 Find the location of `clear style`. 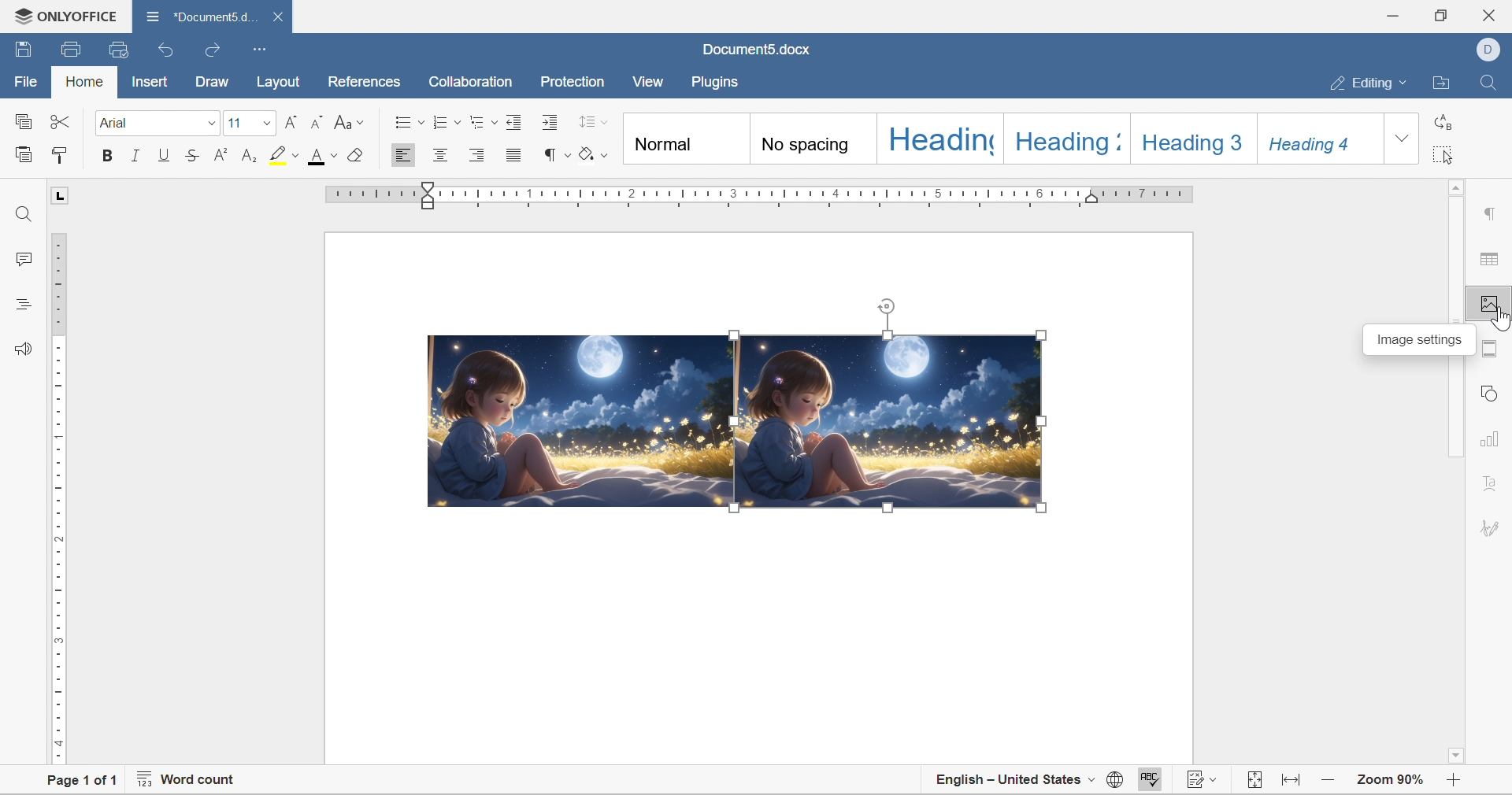

clear style is located at coordinates (355, 154).